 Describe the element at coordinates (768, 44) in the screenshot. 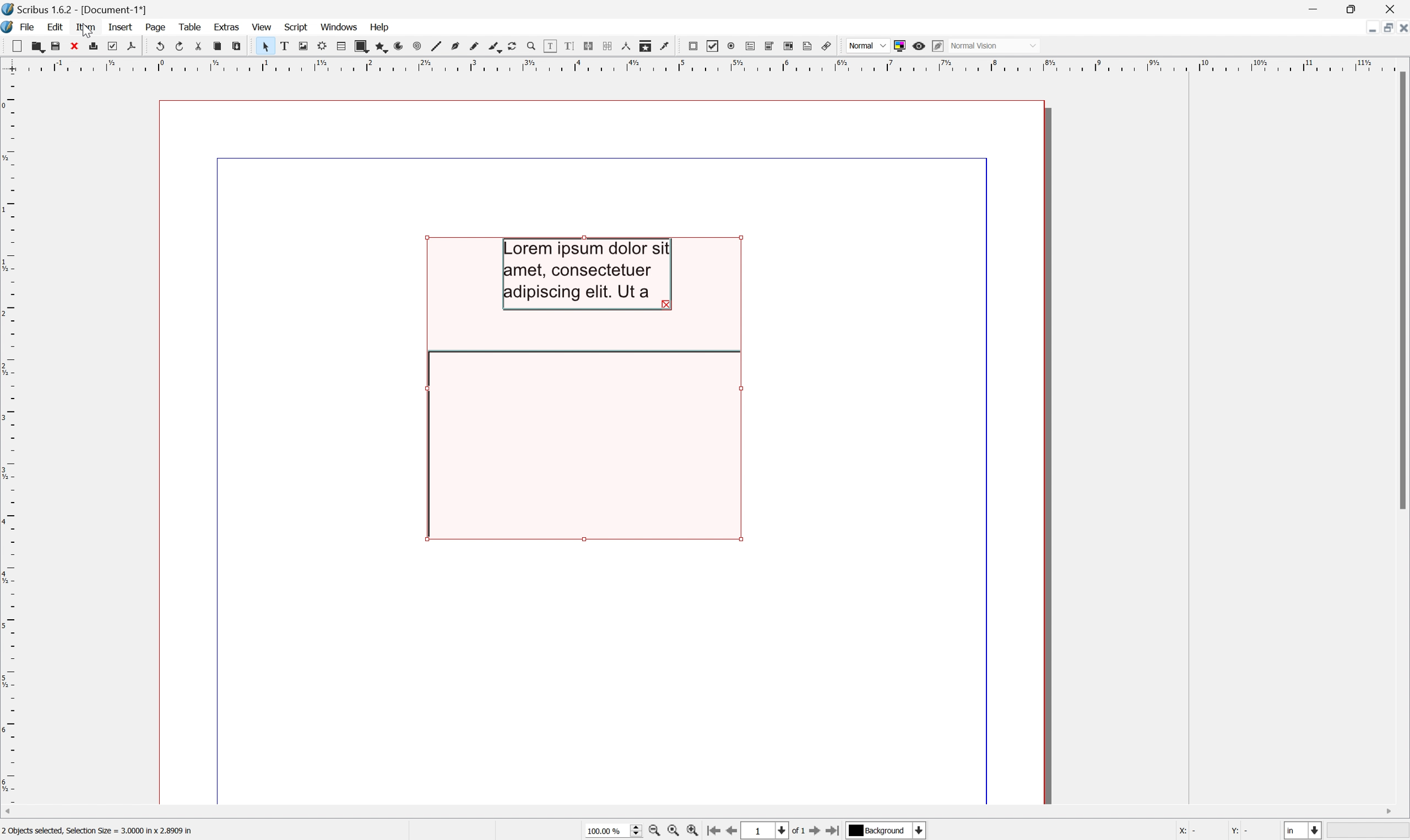

I see `PDF combo box` at that location.